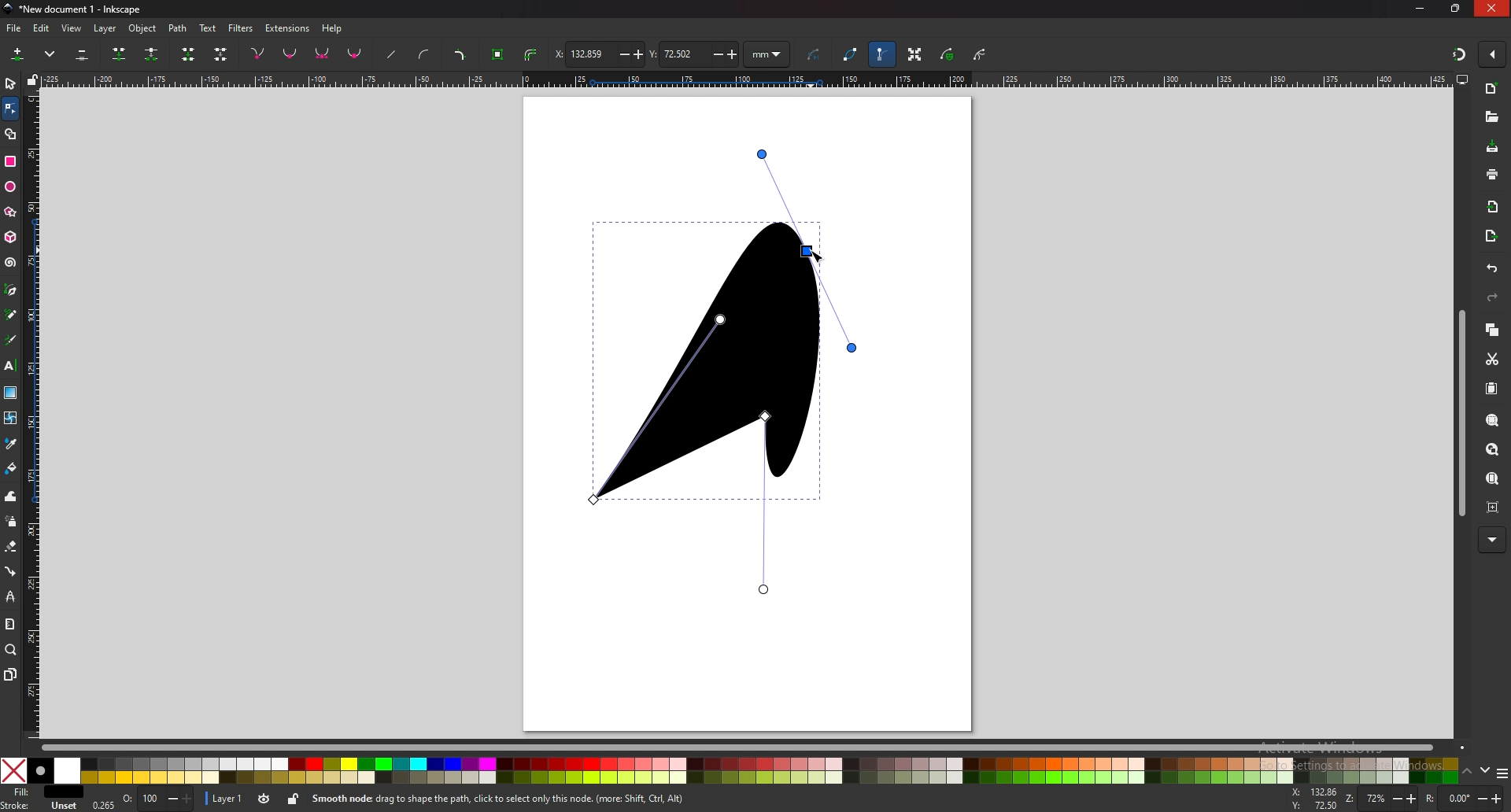  I want to click on selector, so click(10, 83).